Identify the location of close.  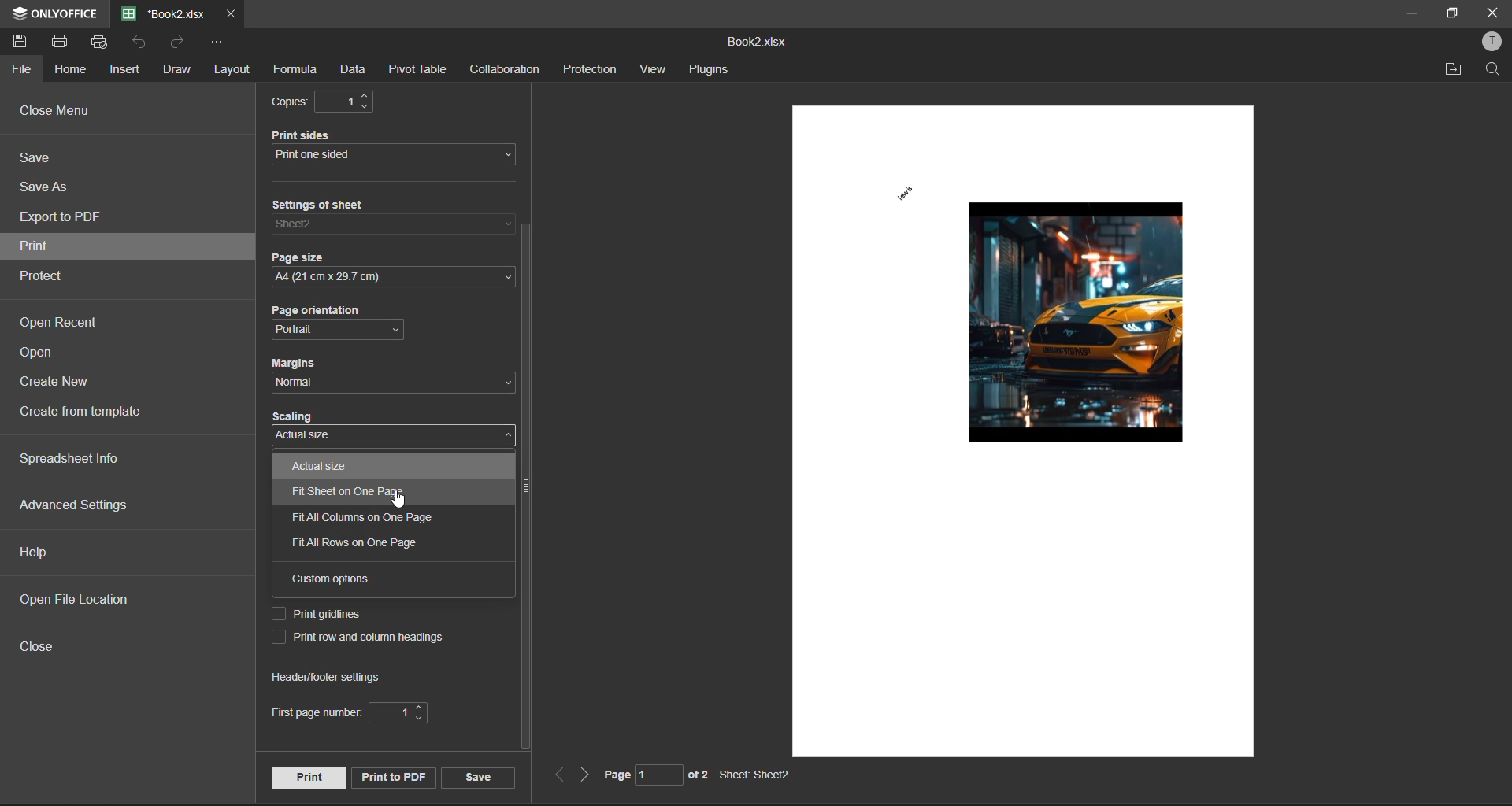
(1488, 14).